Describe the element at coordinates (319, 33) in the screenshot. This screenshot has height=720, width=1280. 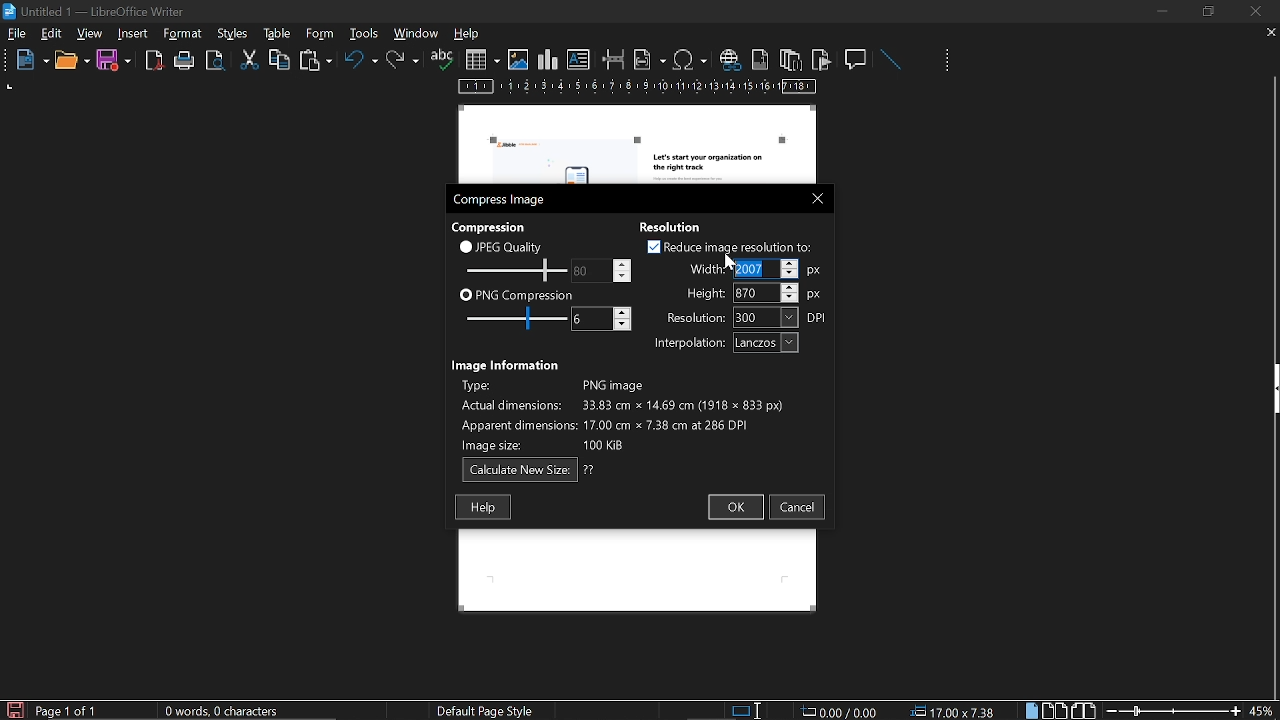
I see `table` at that location.